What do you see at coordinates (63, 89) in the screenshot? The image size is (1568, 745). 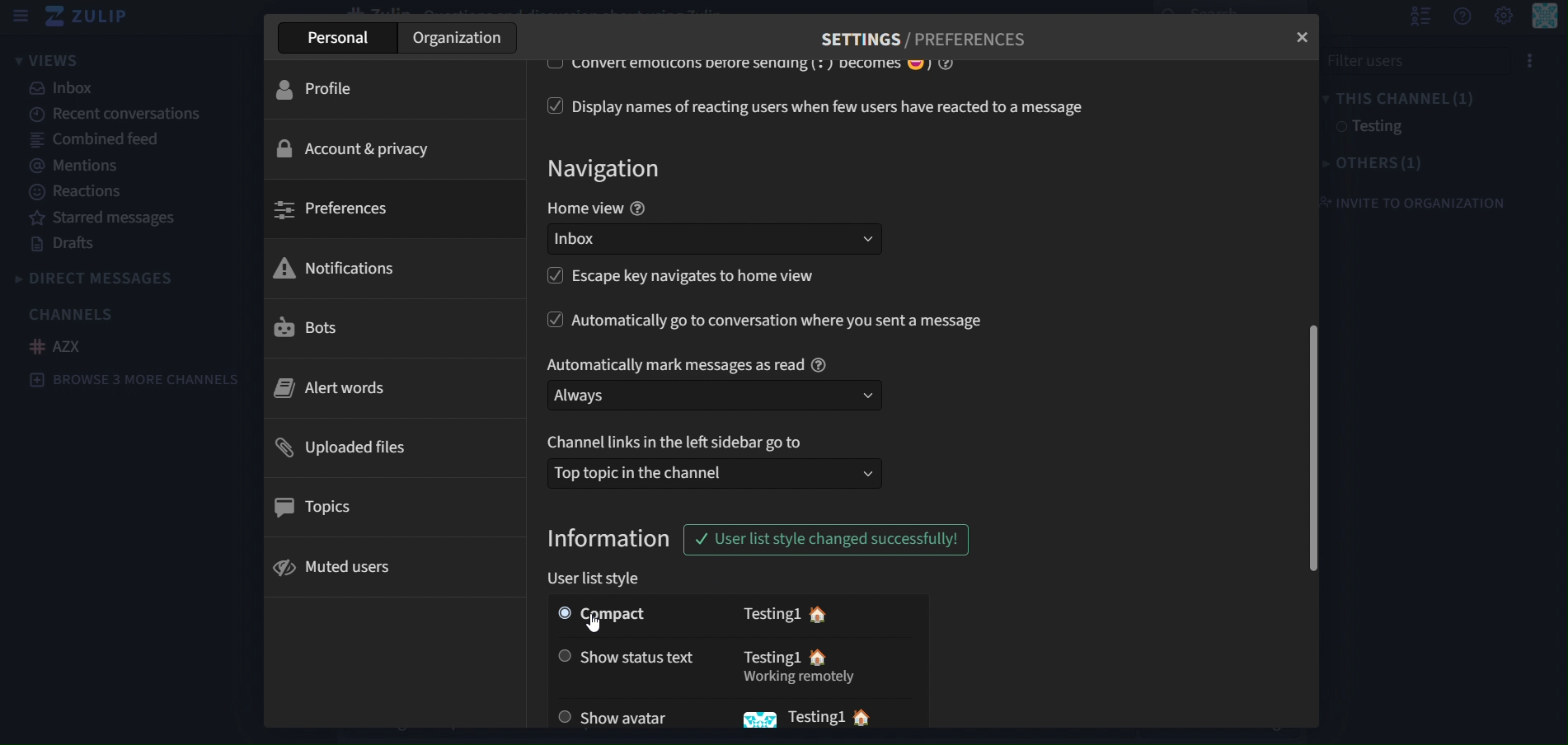 I see `inbox` at bounding box center [63, 89].